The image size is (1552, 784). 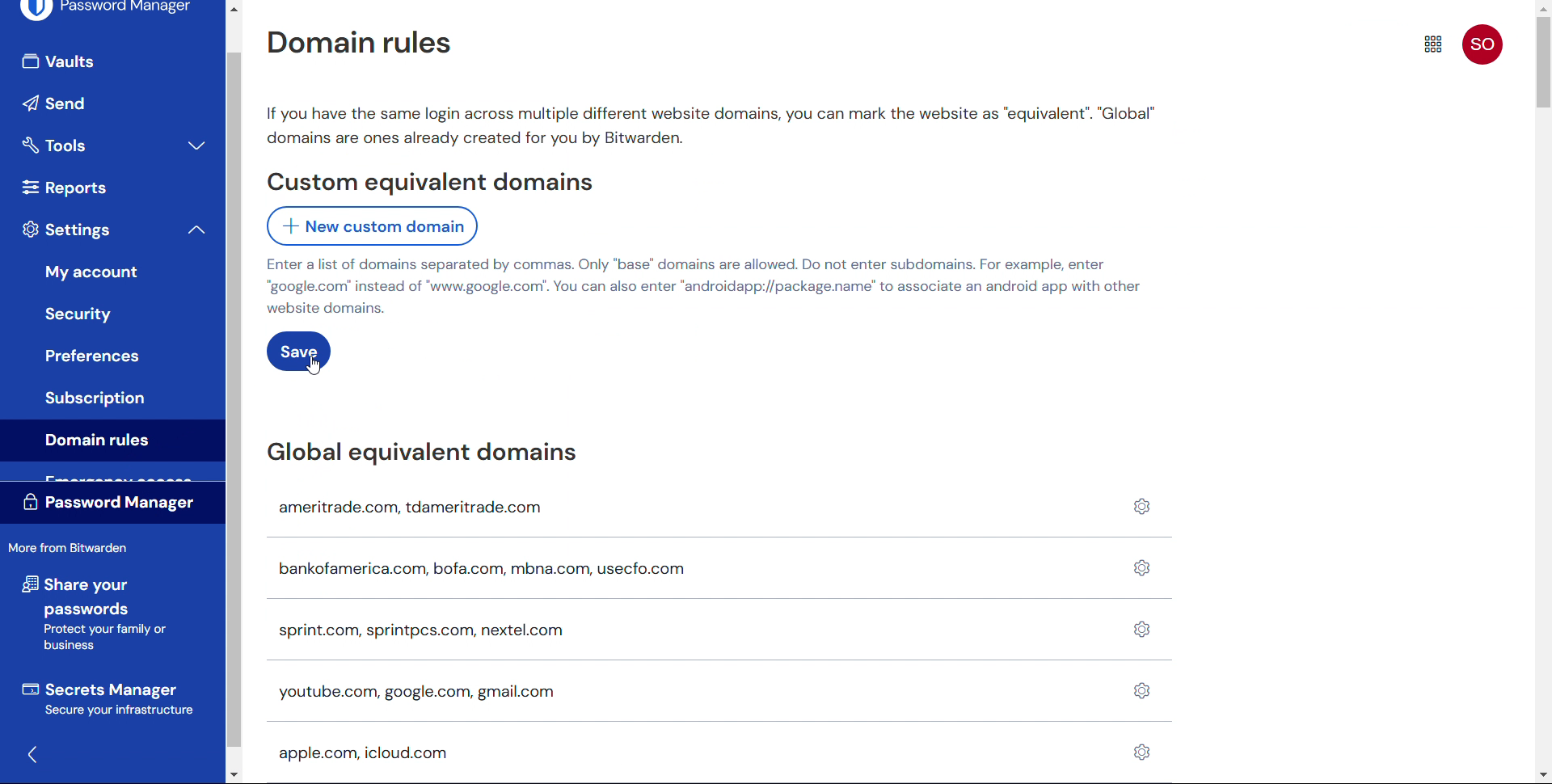 What do you see at coordinates (110, 440) in the screenshot?
I see `Domain rules ` at bounding box center [110, 440].